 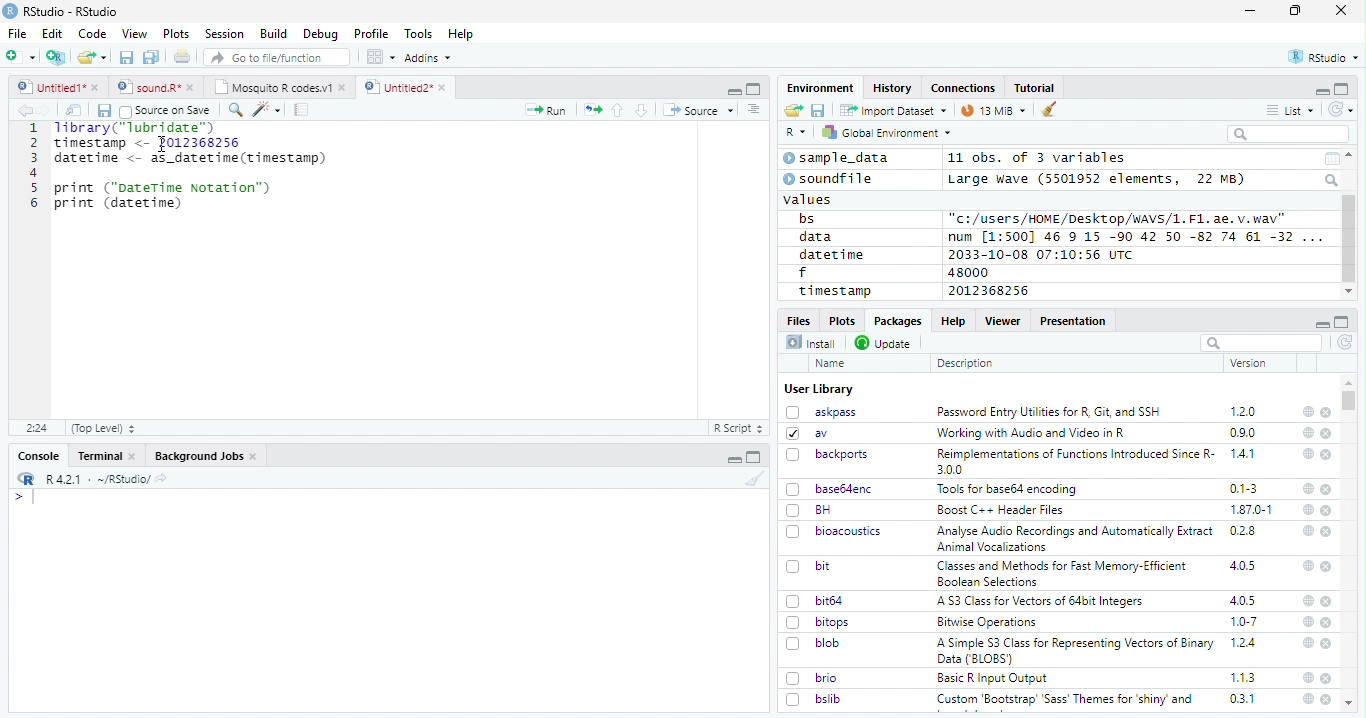 What do you see at coordinates (966, 363) in the screenshot?
I see `Description` at bounding box center [966, 363].